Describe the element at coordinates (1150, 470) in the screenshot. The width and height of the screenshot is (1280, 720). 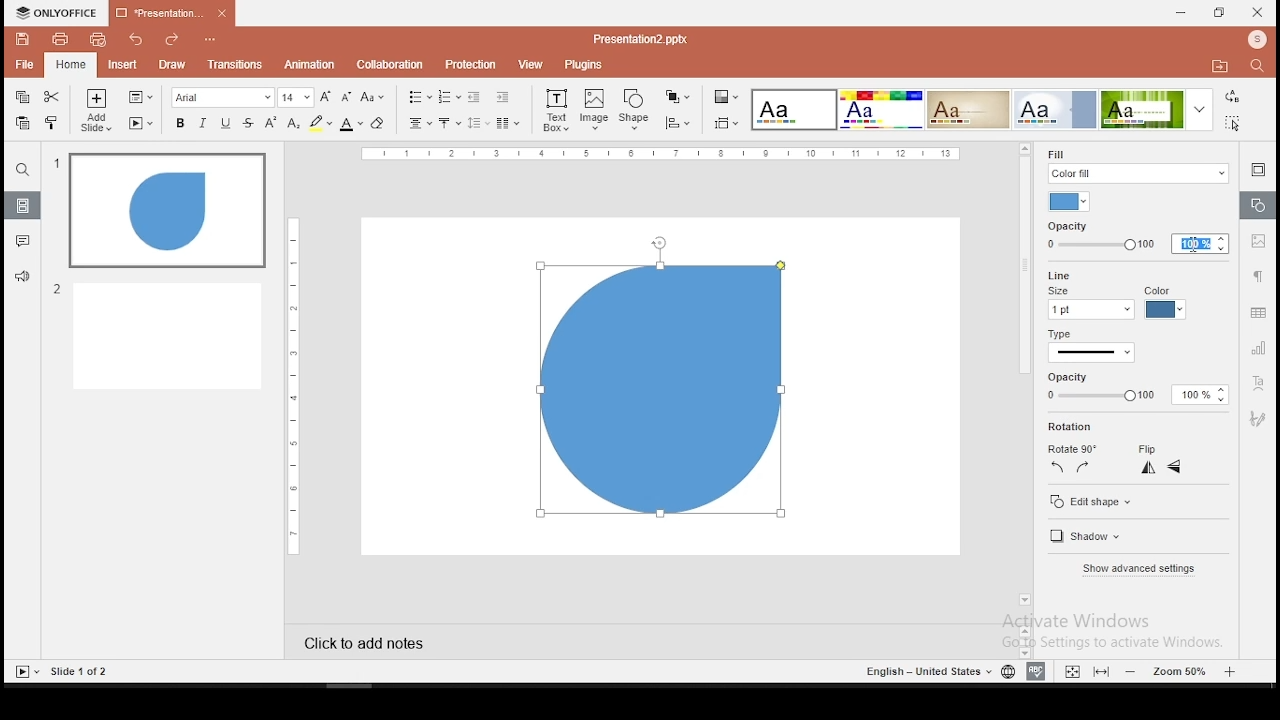
I see `flip vertical` at that location.